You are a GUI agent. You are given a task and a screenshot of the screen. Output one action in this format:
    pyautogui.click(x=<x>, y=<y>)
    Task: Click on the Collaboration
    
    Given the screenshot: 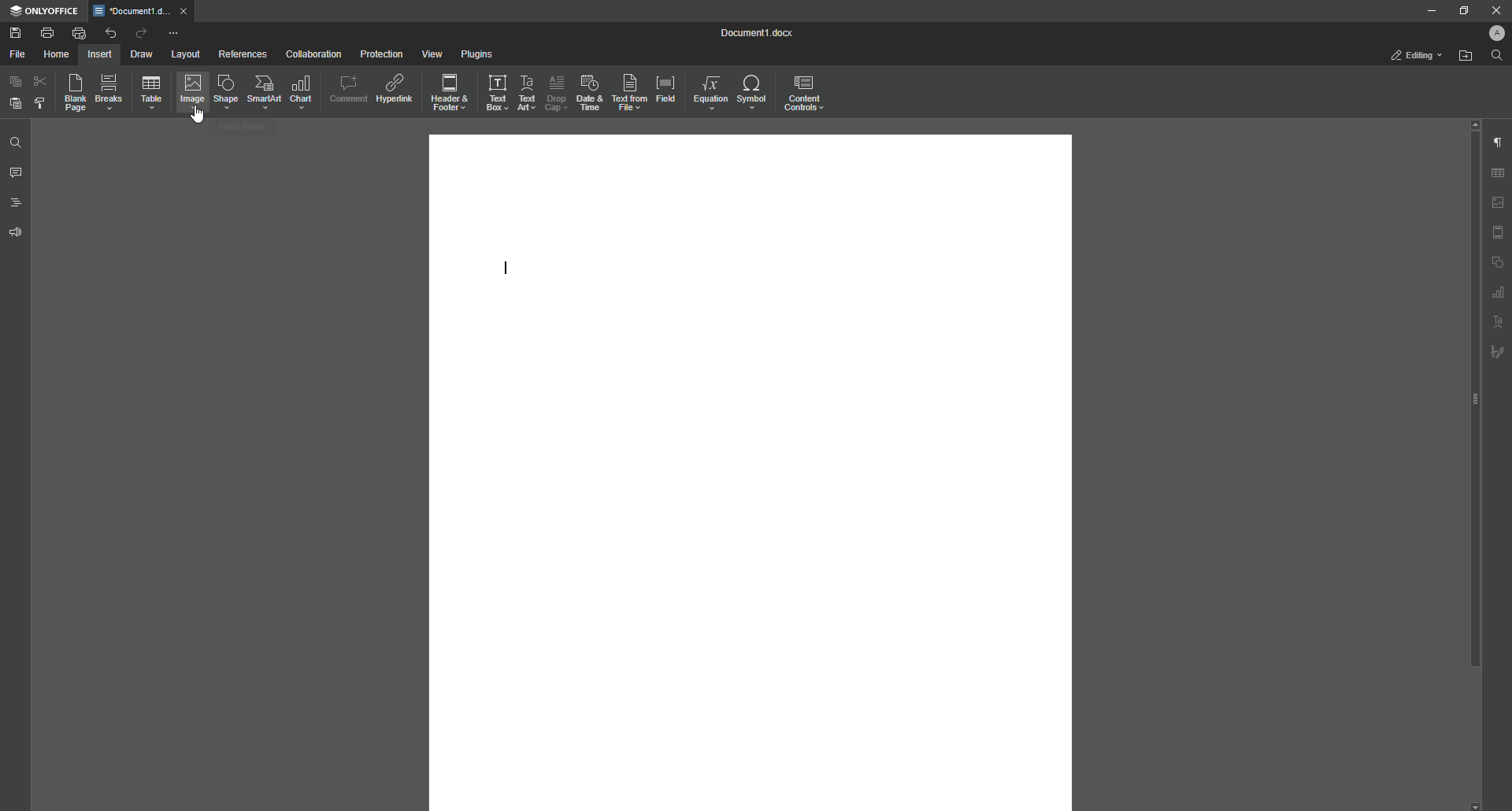 What is the action you would take?
    pyautogui.click(x=309, y=56)
    